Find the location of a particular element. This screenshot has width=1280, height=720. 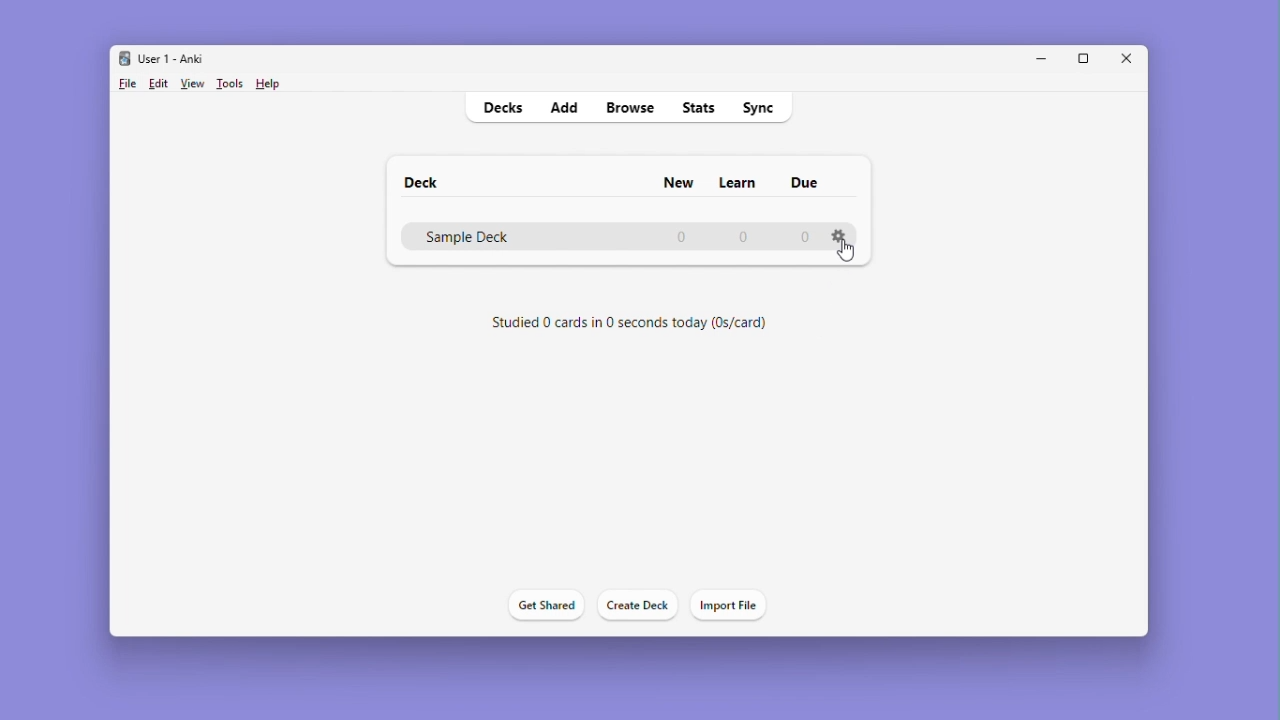

Help  is located at coordinates (265, 85).